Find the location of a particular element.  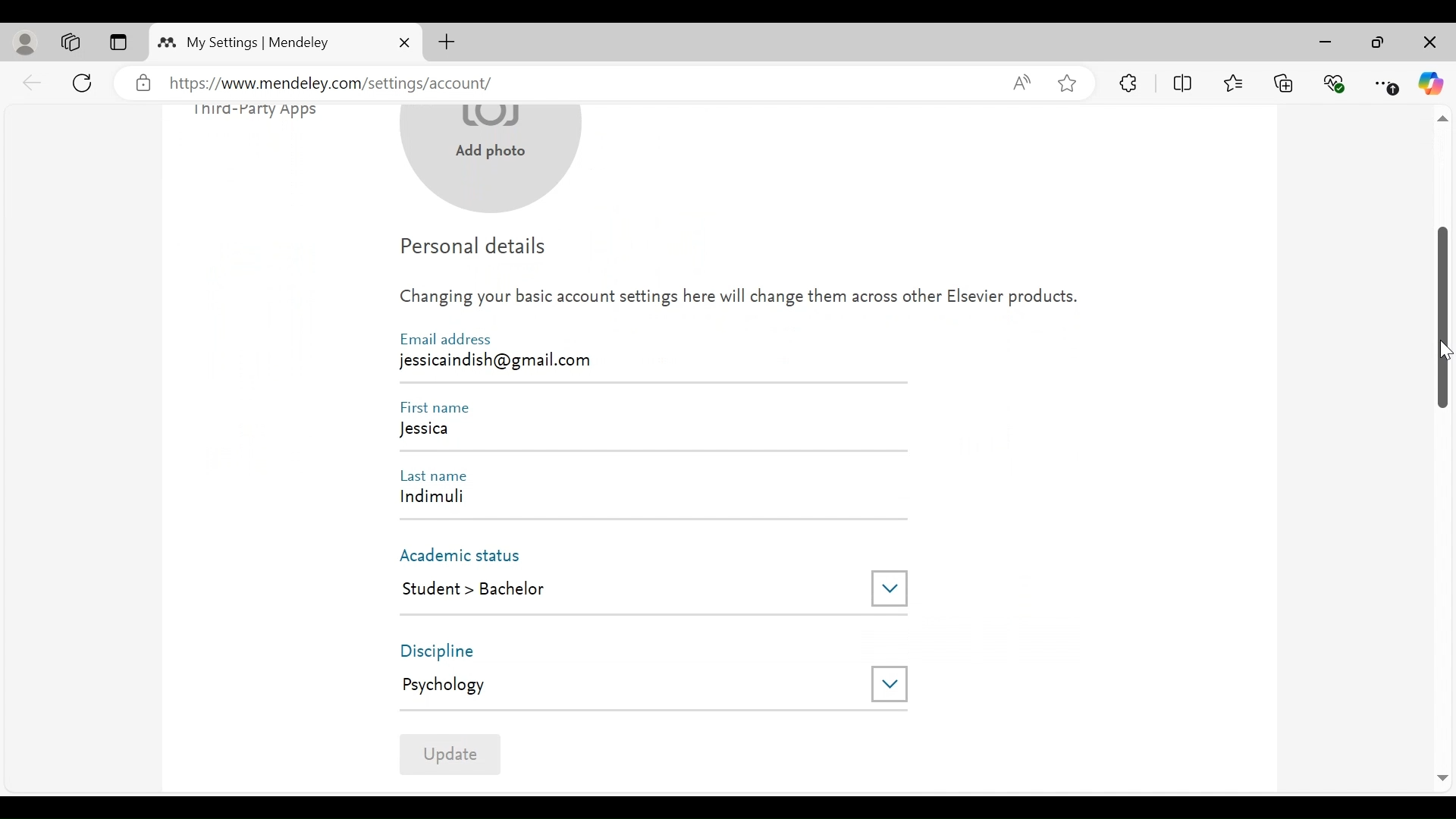

Update is located at coordinates (450, 753).